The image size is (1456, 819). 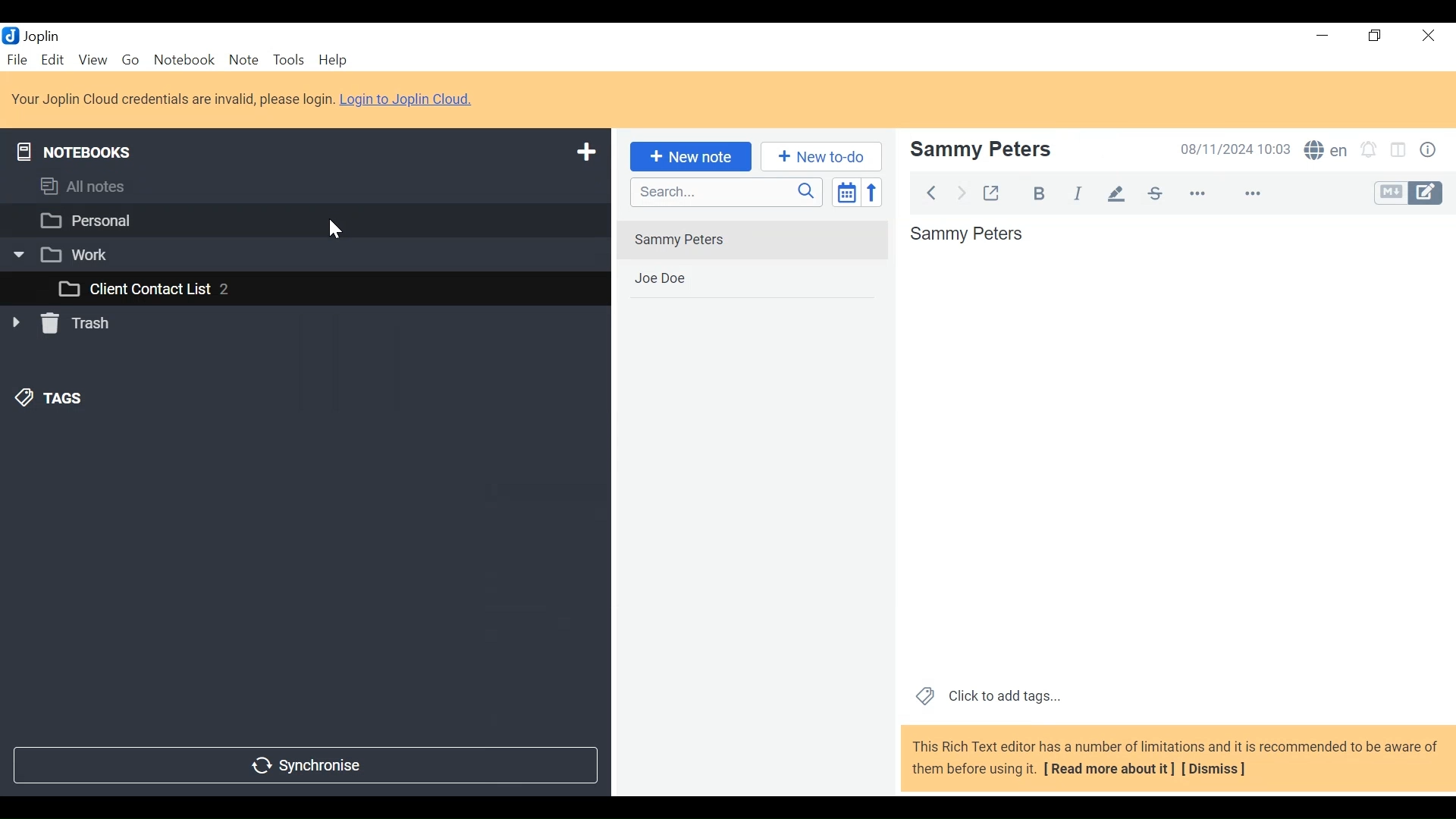 What do you see at coordinates (848, 193) in the screenshot?
I see `Toggle sort order field ` at bounding box center [848, 193].